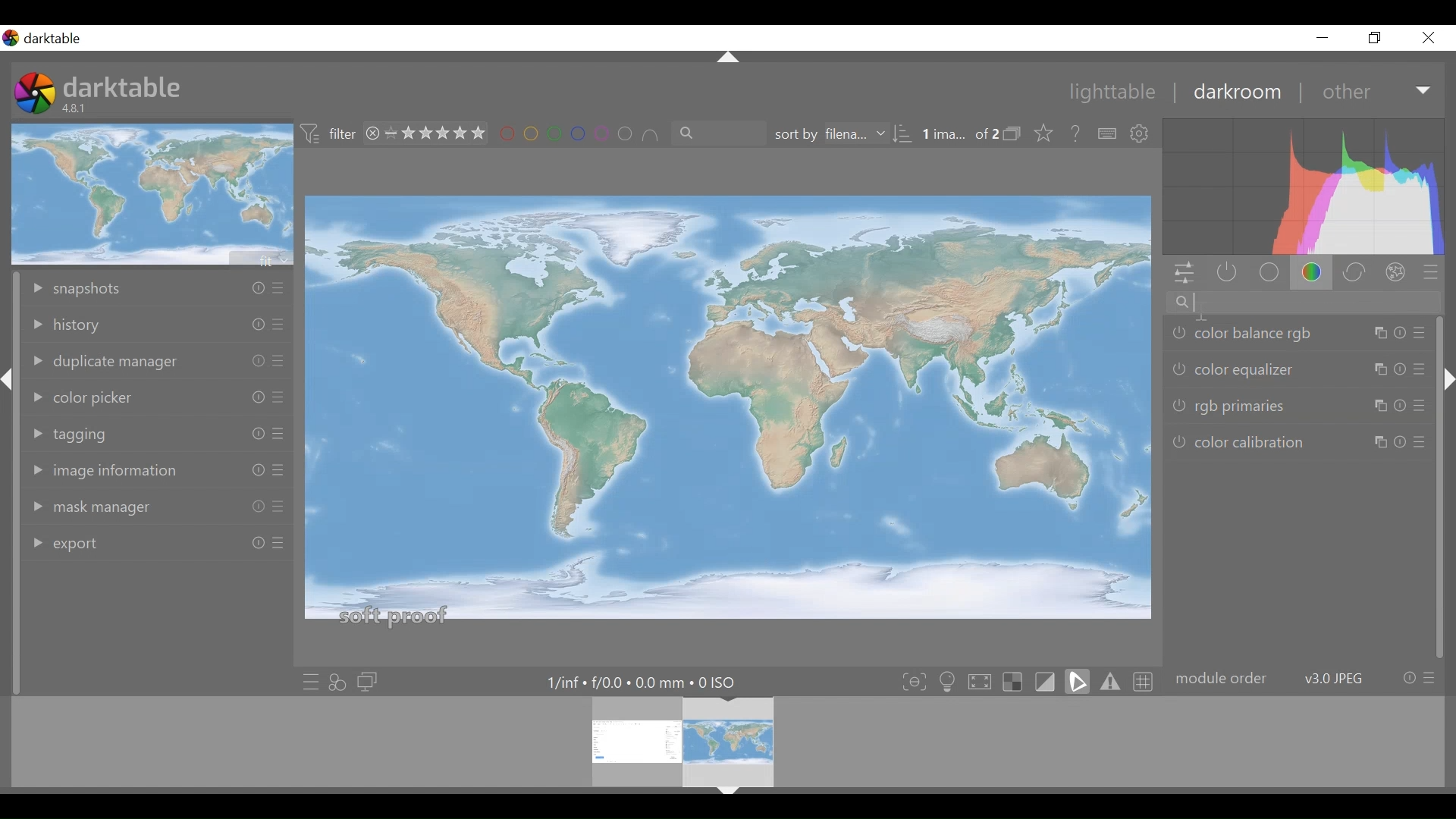  Describe the element at coordinates (579, 134) in the screenshot. I see `set color labels` at that location.